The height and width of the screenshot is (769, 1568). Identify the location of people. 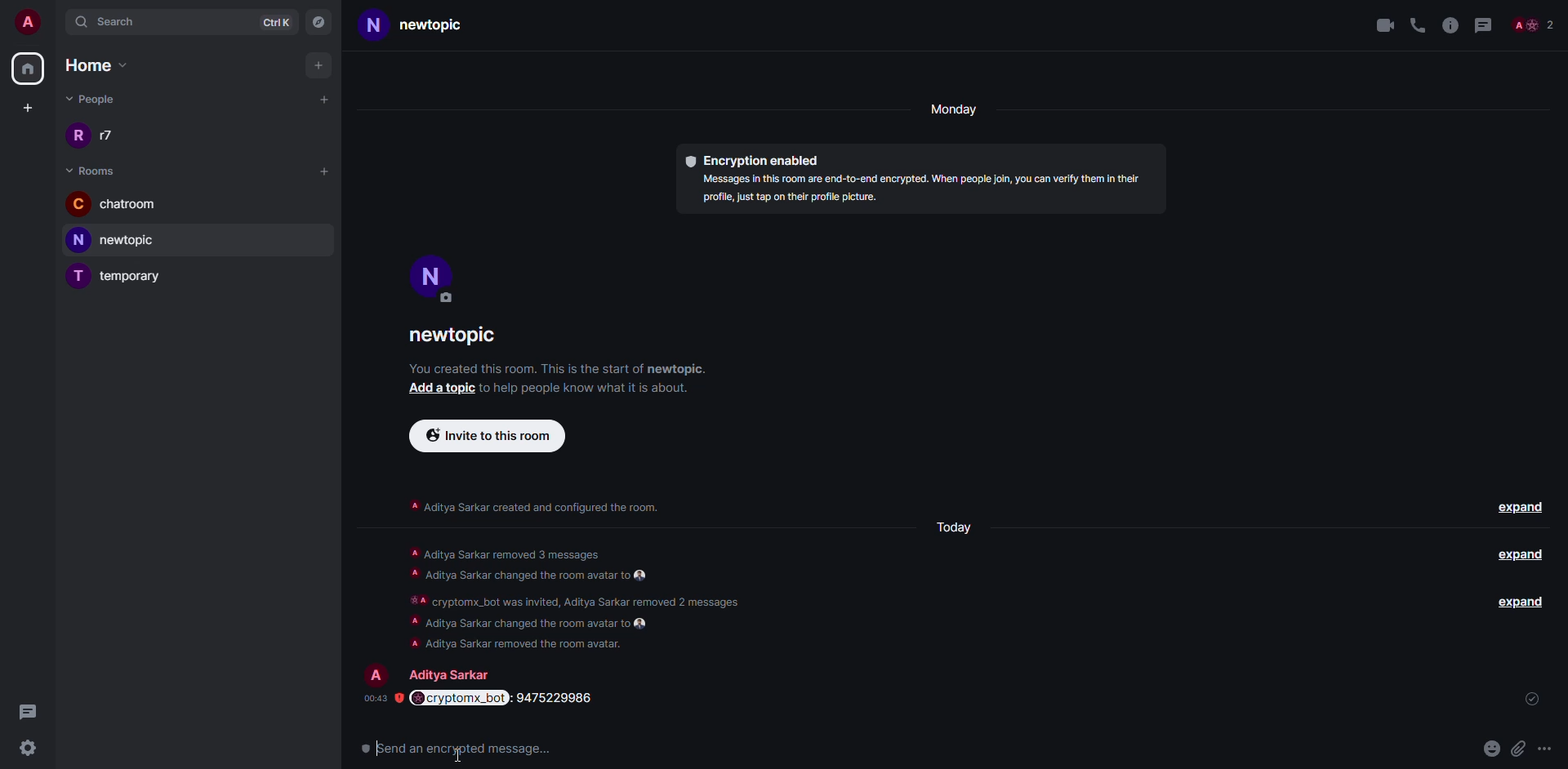
(1532, 26).